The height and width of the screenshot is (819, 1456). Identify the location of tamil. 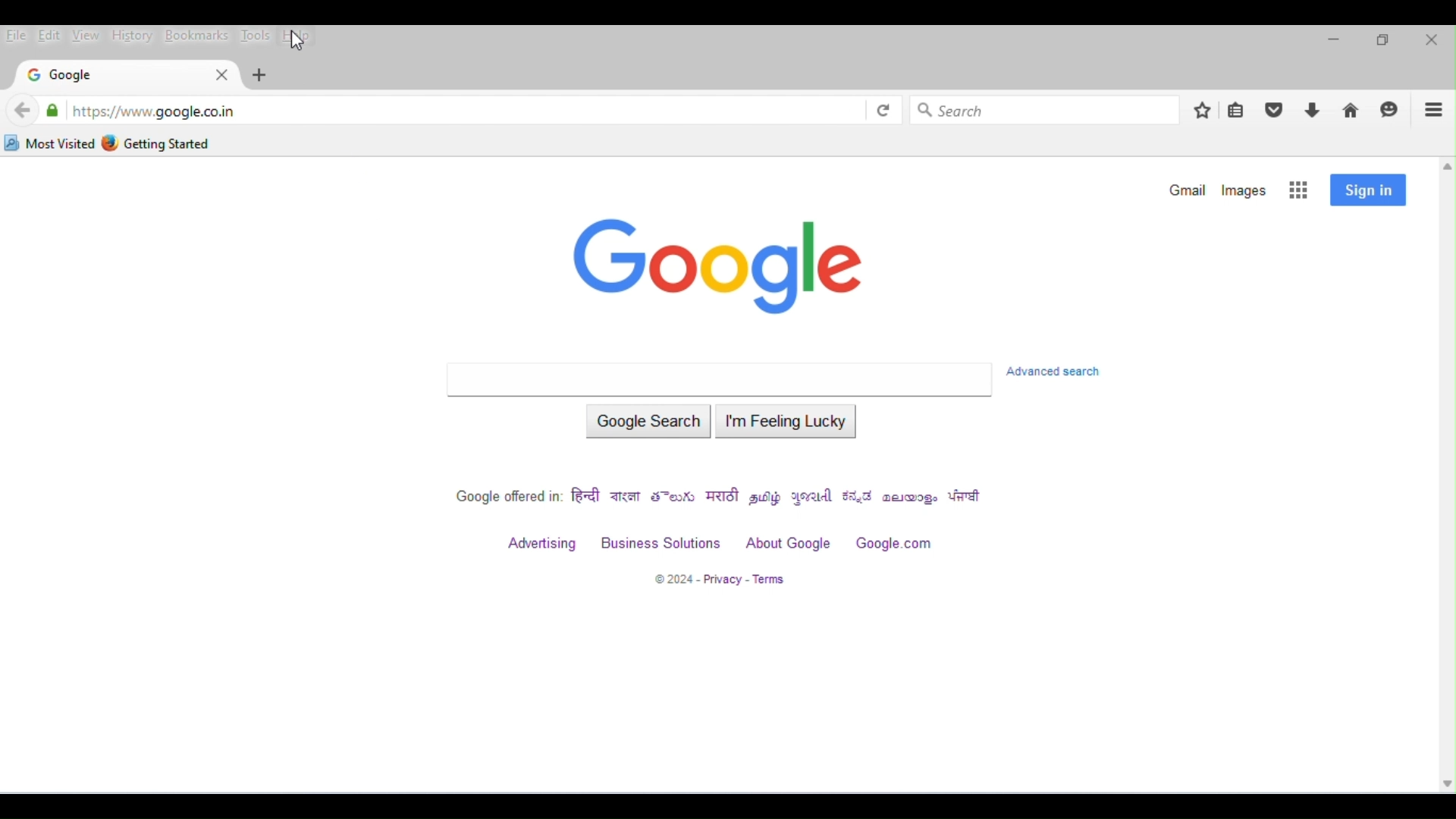
(767, 497).